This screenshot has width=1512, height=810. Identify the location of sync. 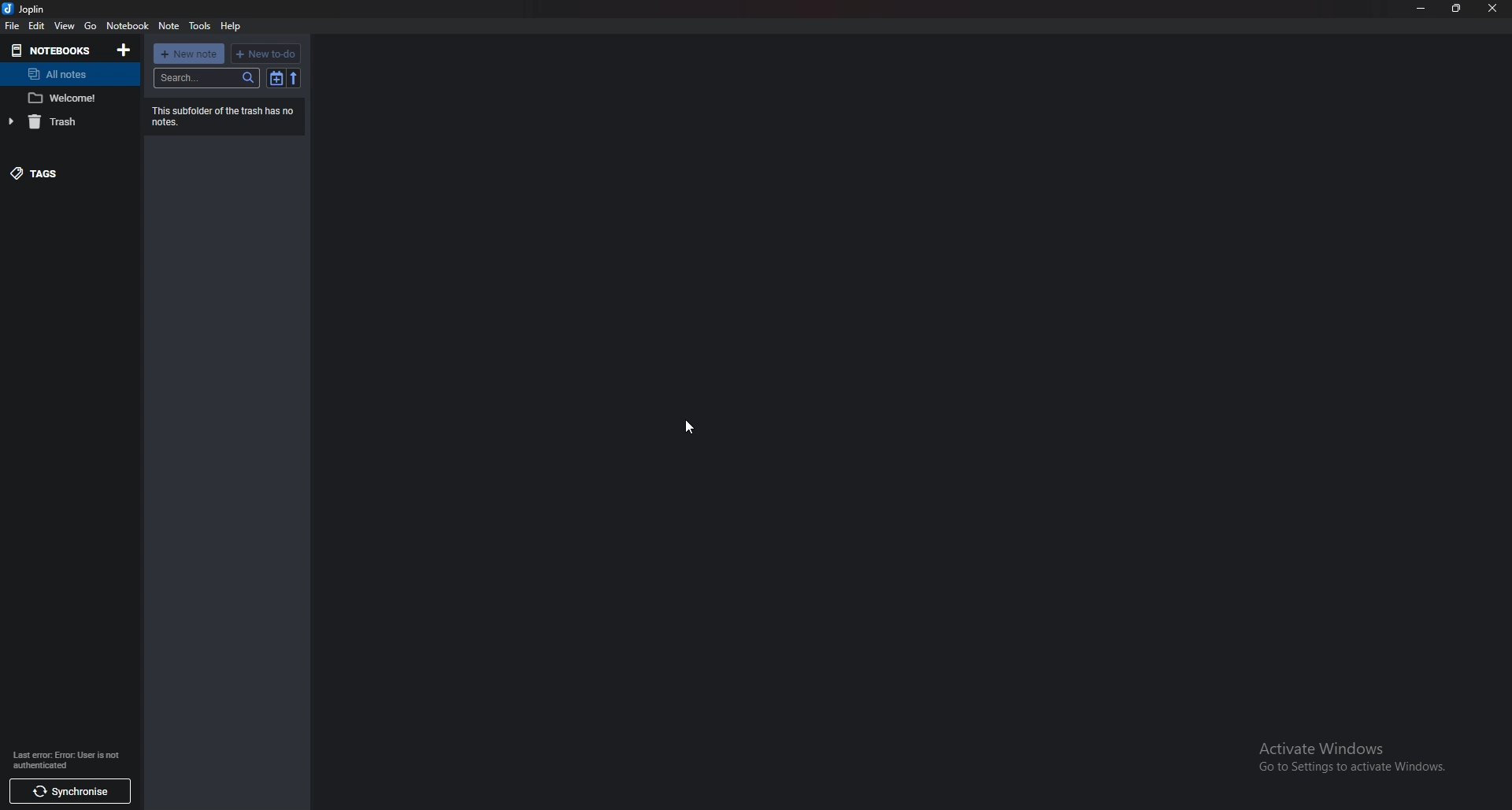
(72, 792).